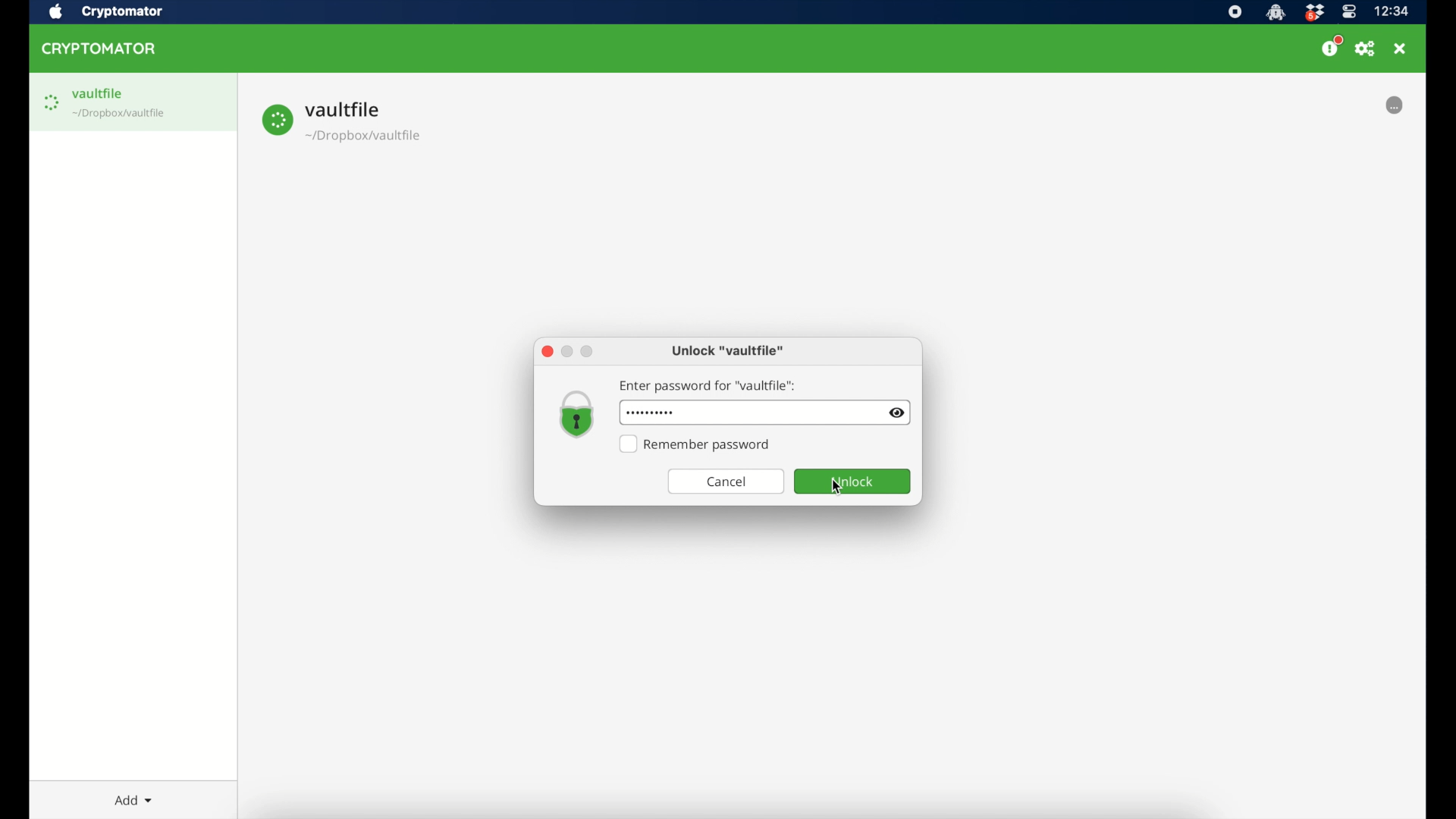 The height and width of the screenshot is (819, 1456). Describe the element at coordinates (704, 384) in the screenshot. I see `enter password for "vaultfile"` at that location.